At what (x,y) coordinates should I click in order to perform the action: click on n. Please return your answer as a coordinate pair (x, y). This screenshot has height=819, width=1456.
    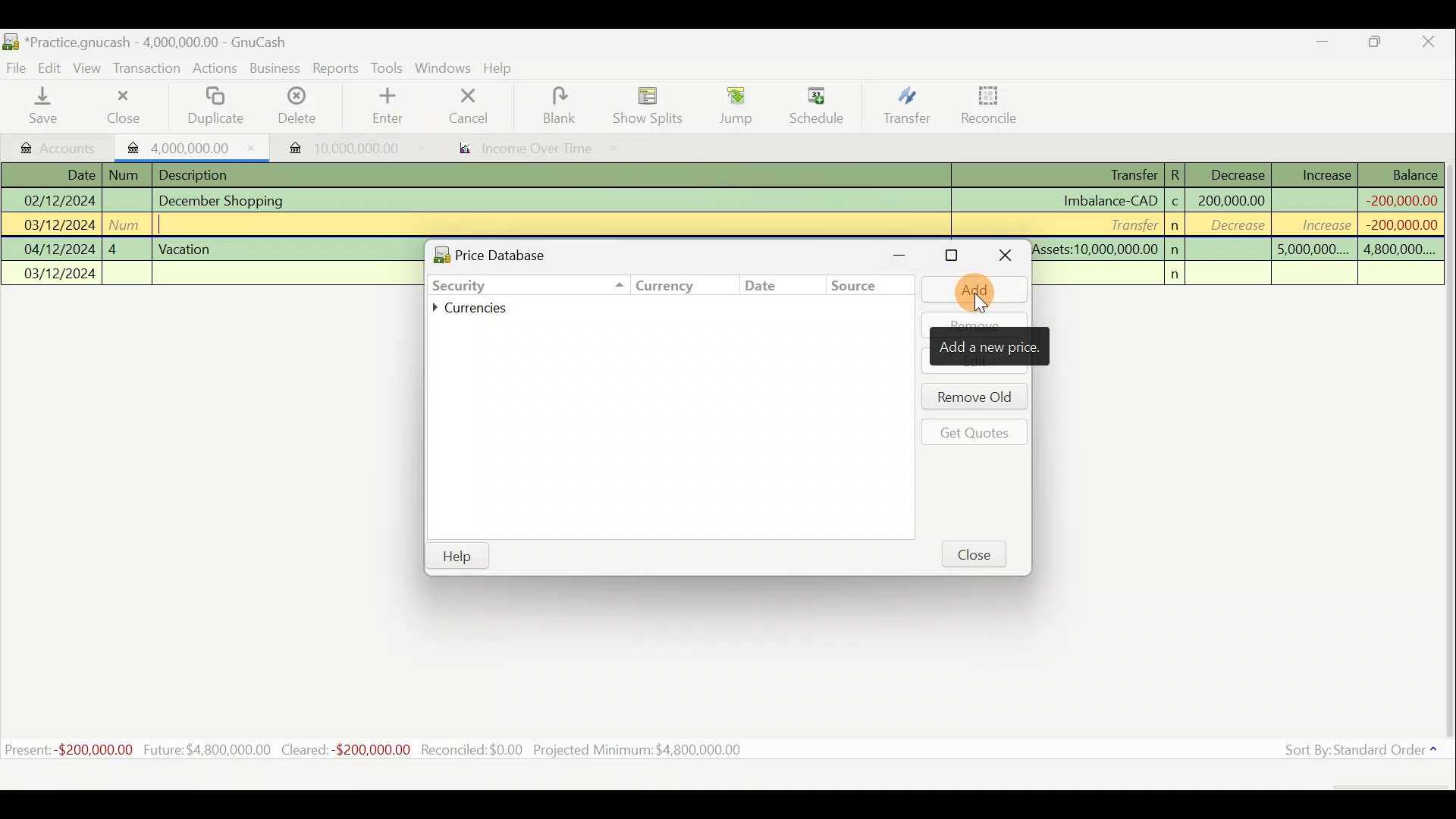
    Looking at the image, I should click on (1177, 249).